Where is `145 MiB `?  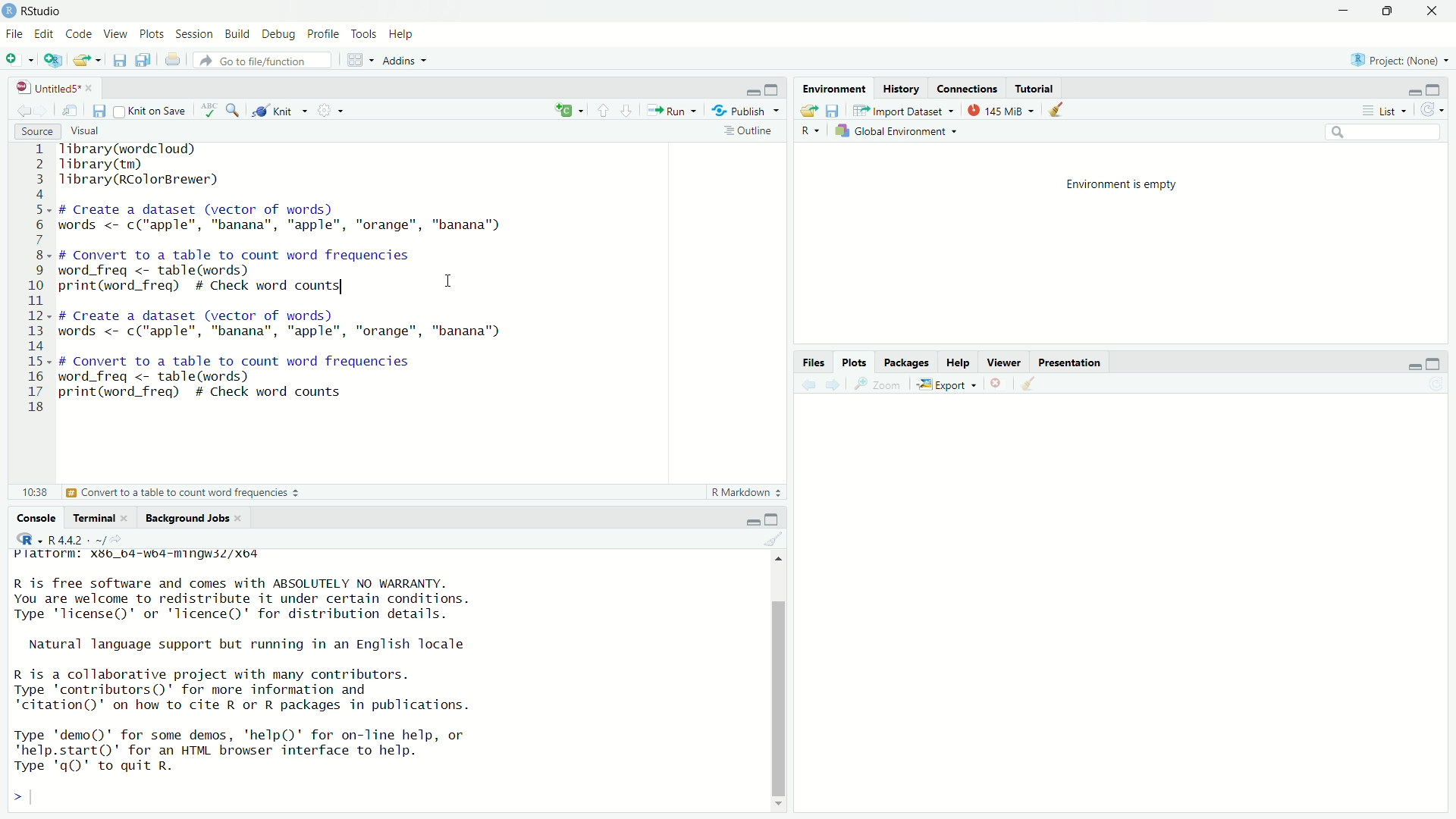
145 MiB  is located at coordinates (1002, 113).